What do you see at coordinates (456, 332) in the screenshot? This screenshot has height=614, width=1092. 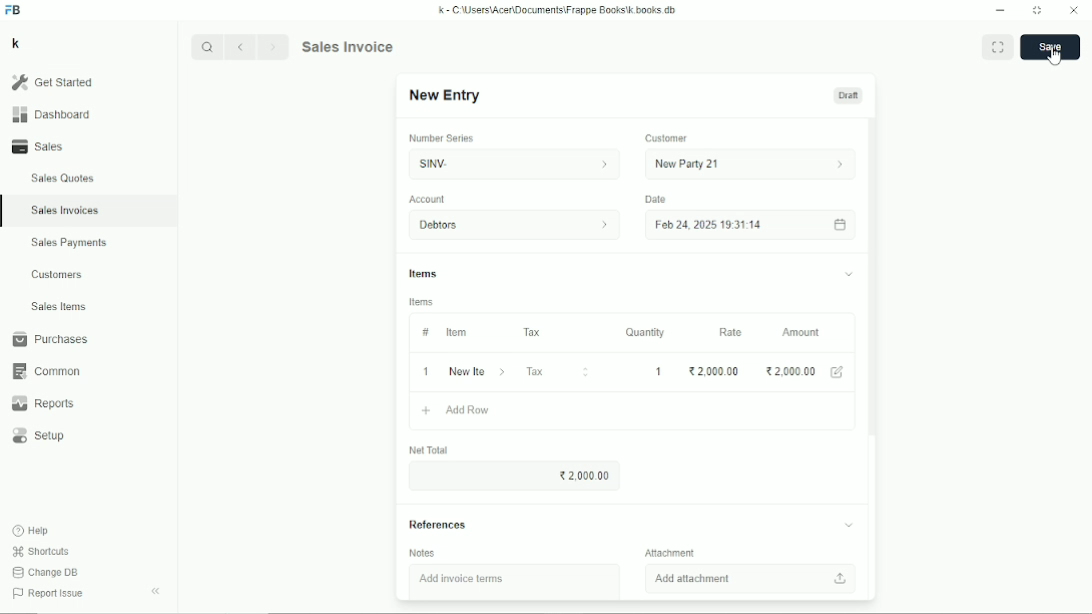 I see `Item` at bounding box center [456, 332].